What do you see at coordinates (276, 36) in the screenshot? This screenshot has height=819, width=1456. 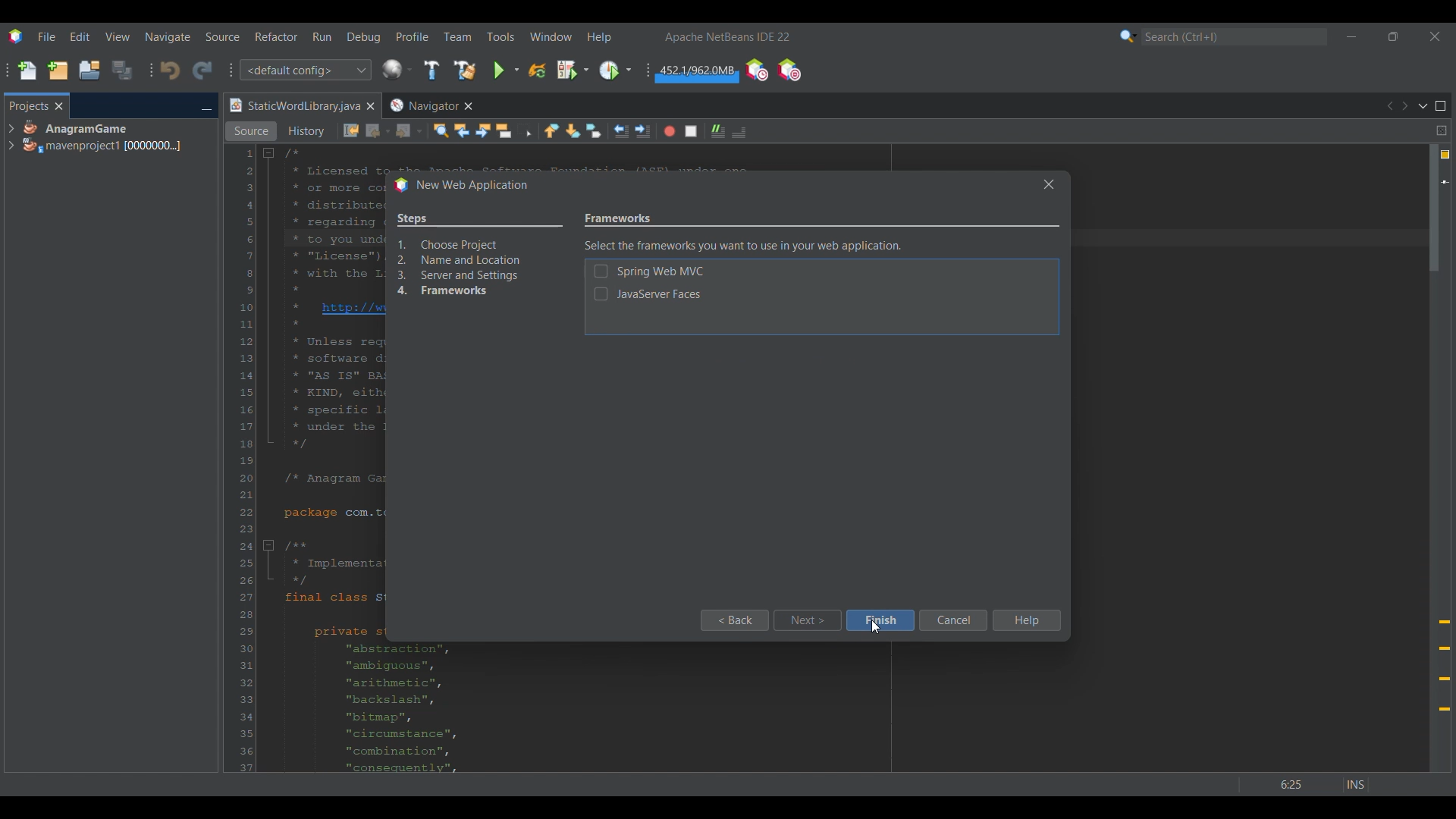 I see `Refactor menu` at bounding box center [276, 36].